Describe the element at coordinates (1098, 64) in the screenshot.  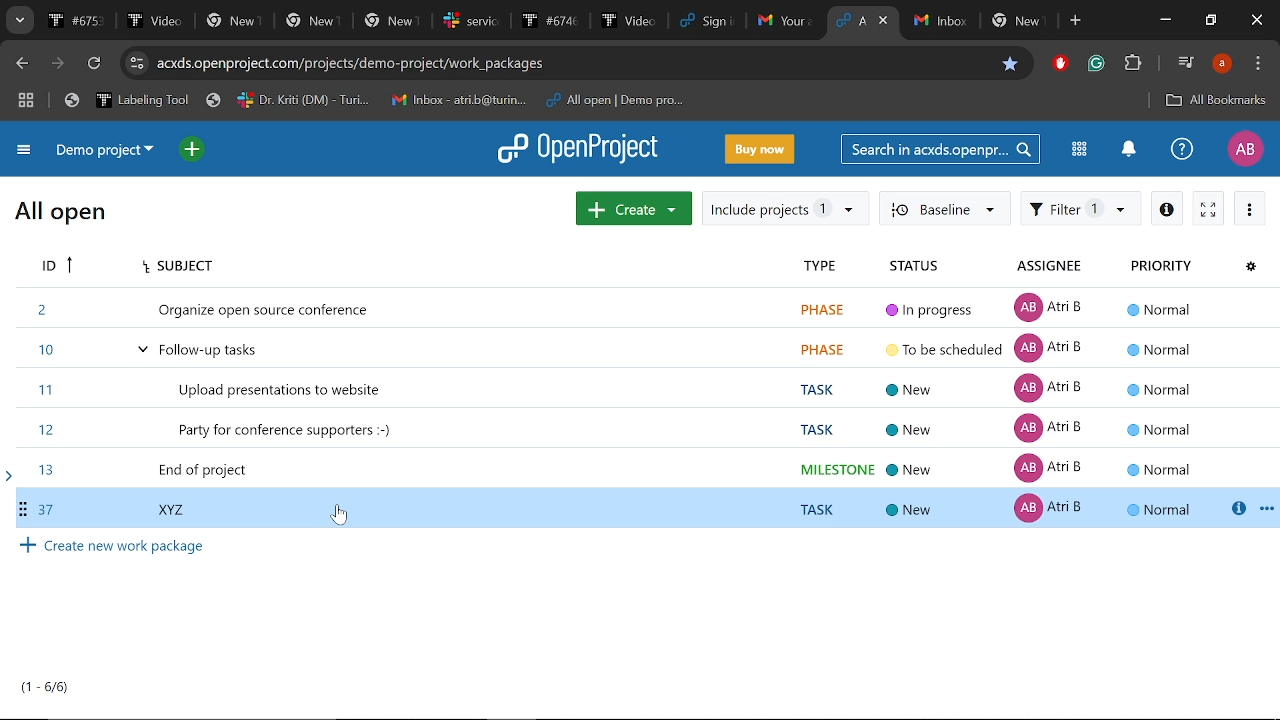
I see `Grammerly` at that location.